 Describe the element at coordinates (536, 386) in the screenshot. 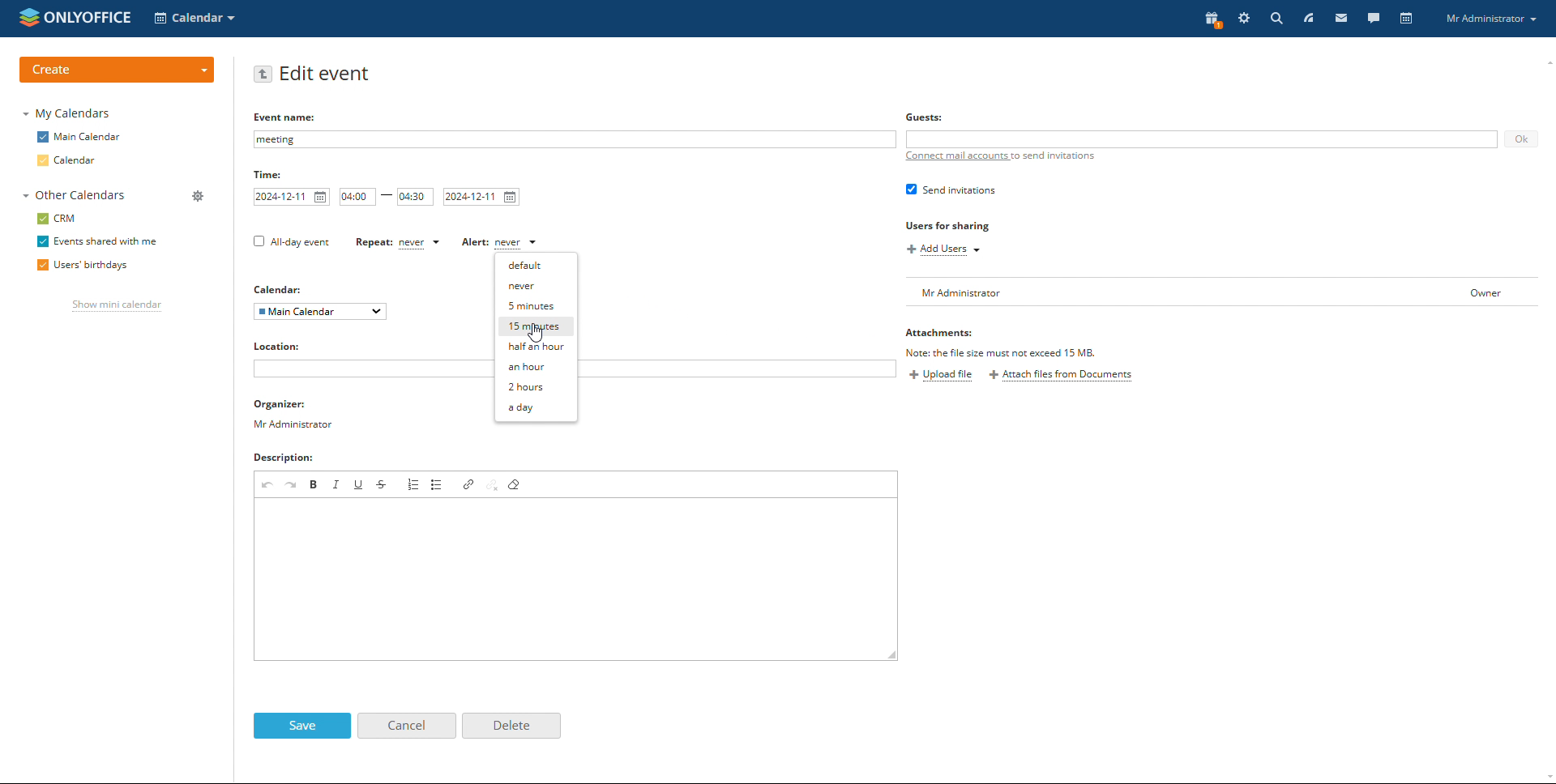

I see `2 hours` at that location.